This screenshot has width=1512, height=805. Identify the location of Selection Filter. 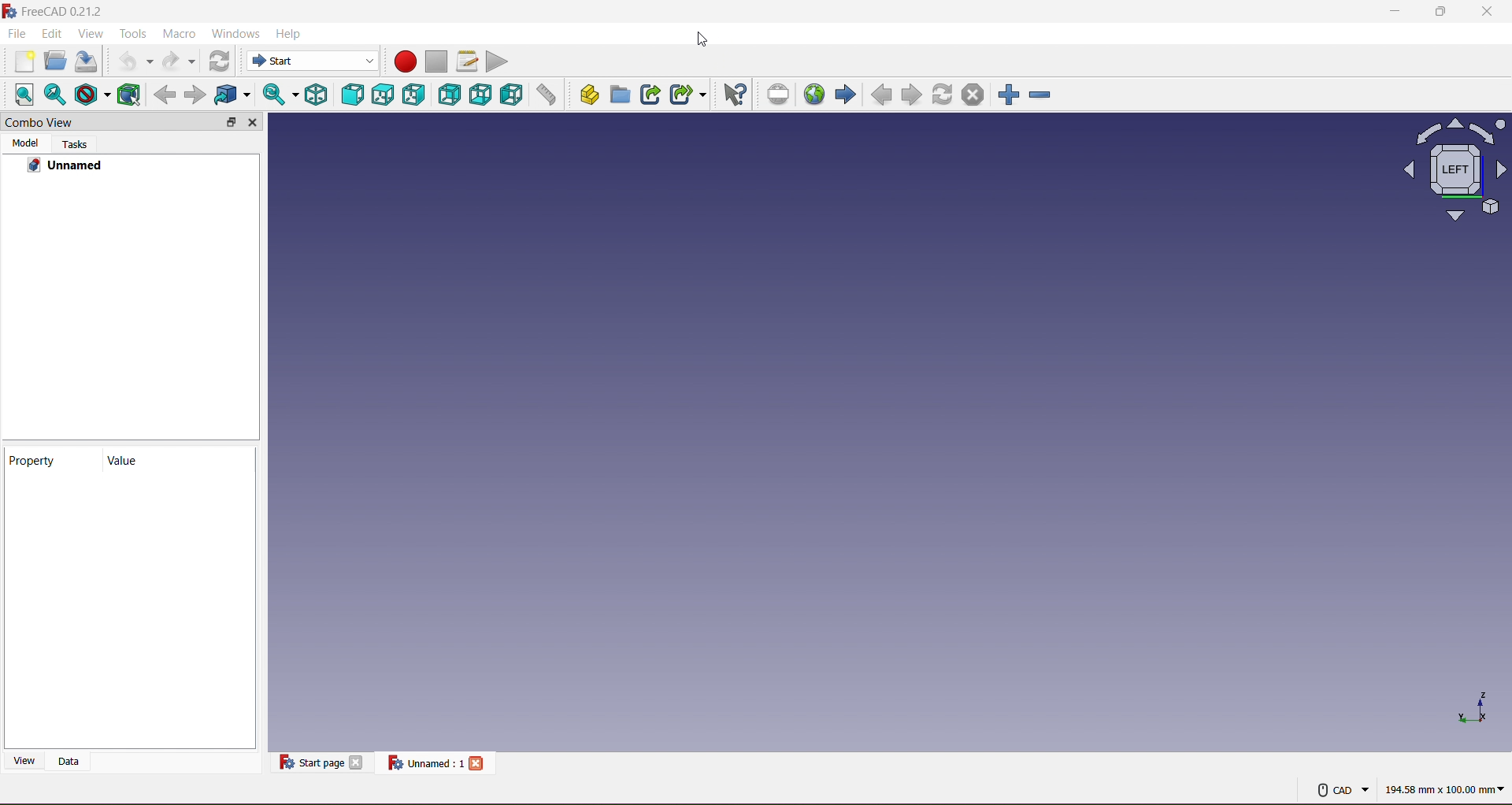
(232, 95).